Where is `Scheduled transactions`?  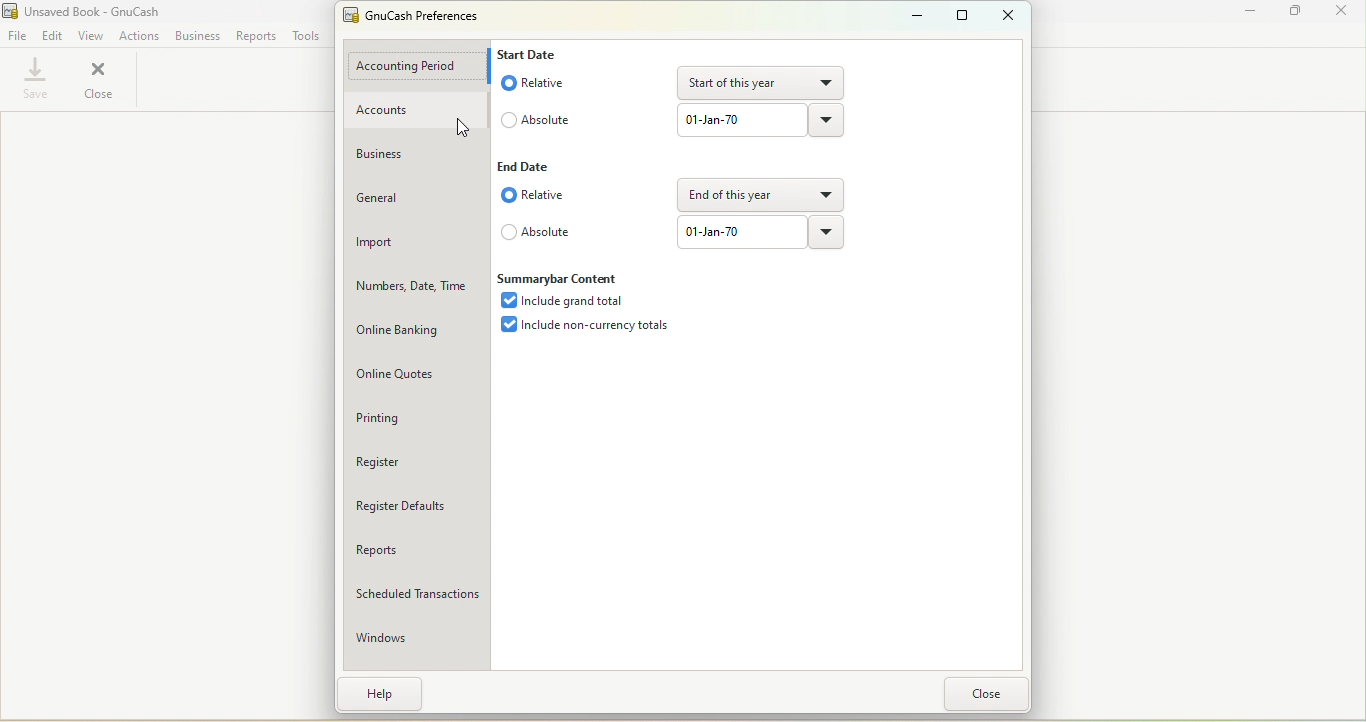
Scheduled transactions is located at coordinates (415, 591).